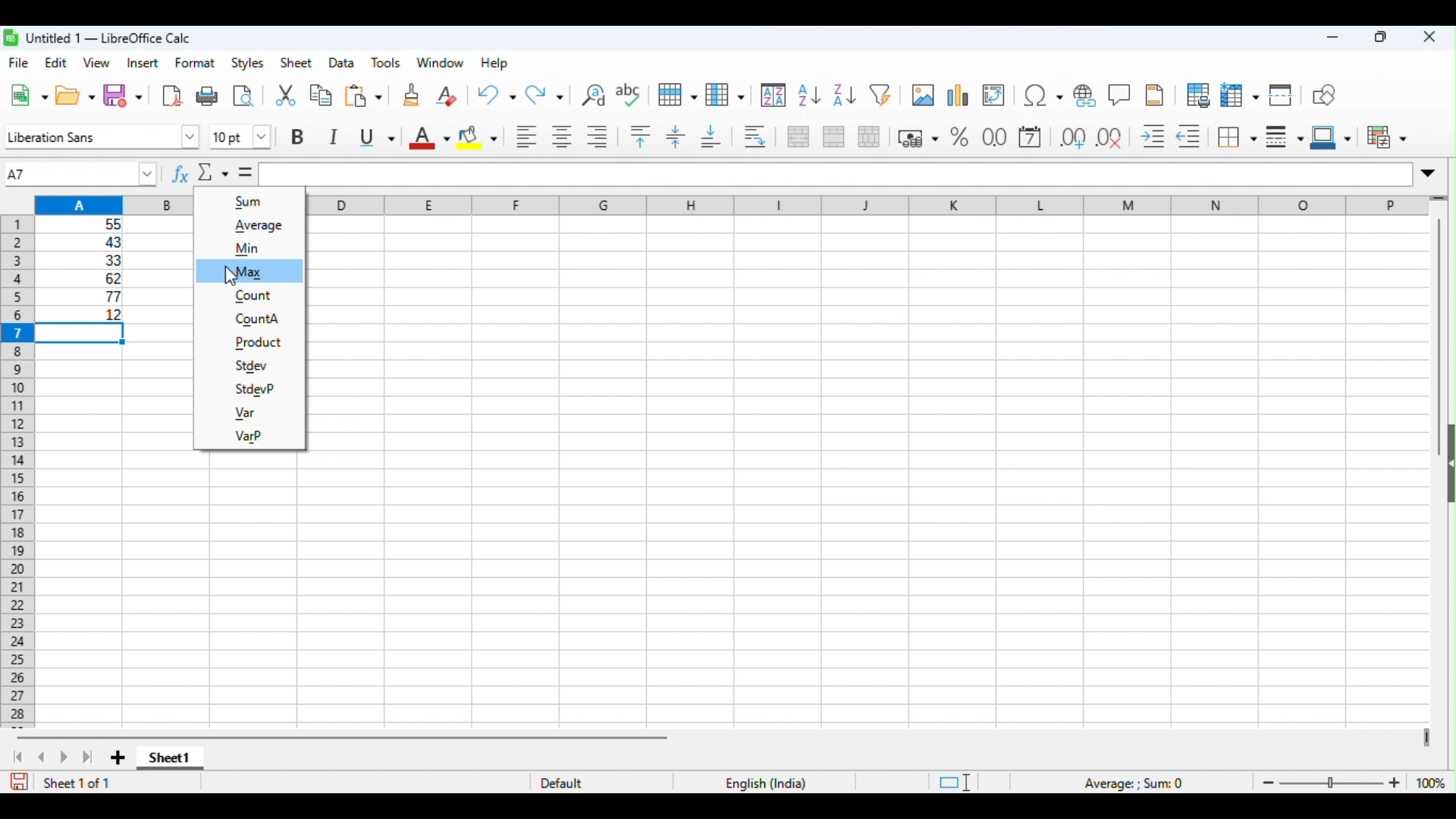 This screenshot has height=819, width=1456. Describe the element at coordinates (631, 94) in the screenshot. I see `spelling` at that location.